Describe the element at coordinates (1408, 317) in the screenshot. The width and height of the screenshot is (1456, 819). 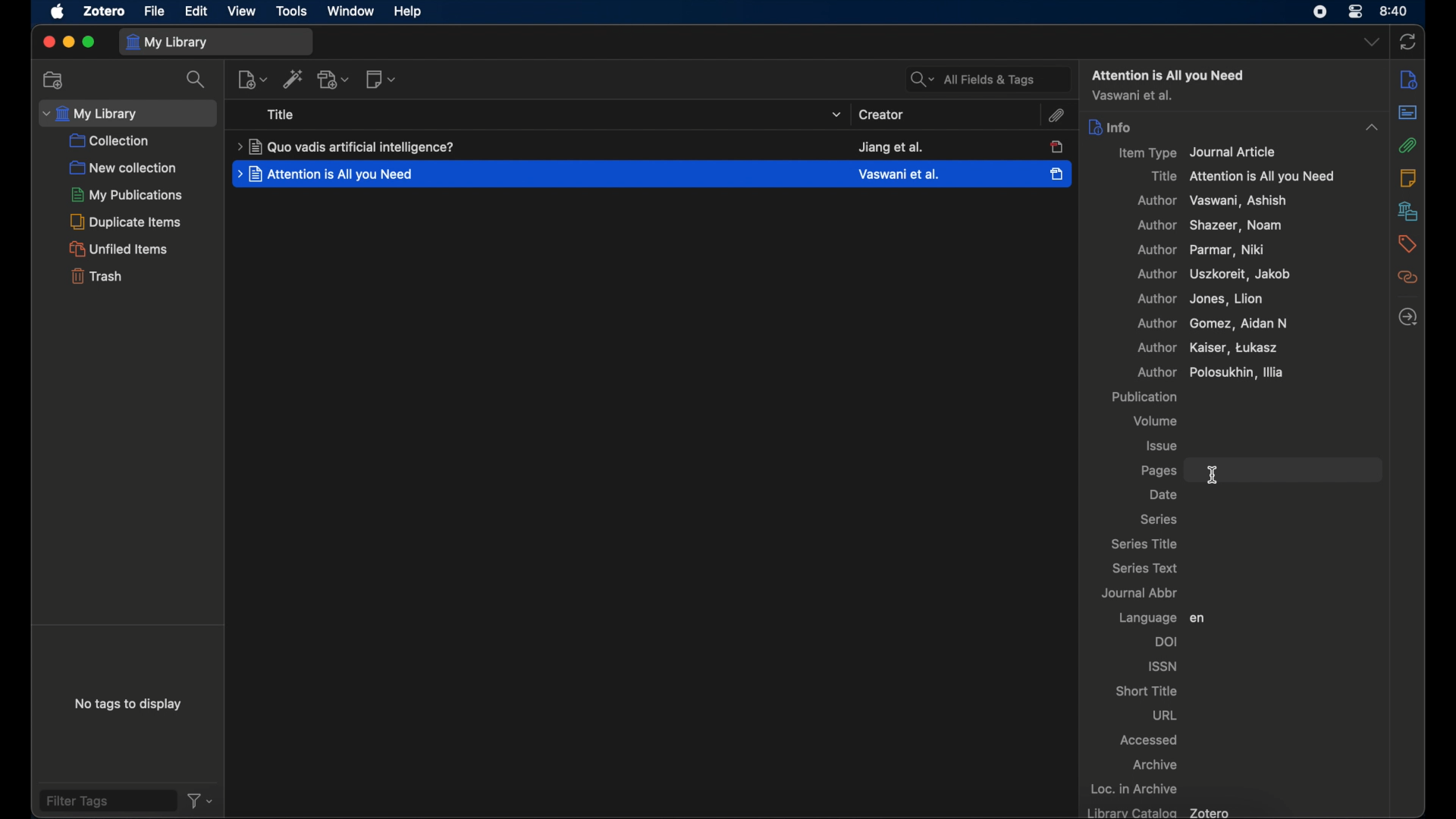
I see `locate` at that location.